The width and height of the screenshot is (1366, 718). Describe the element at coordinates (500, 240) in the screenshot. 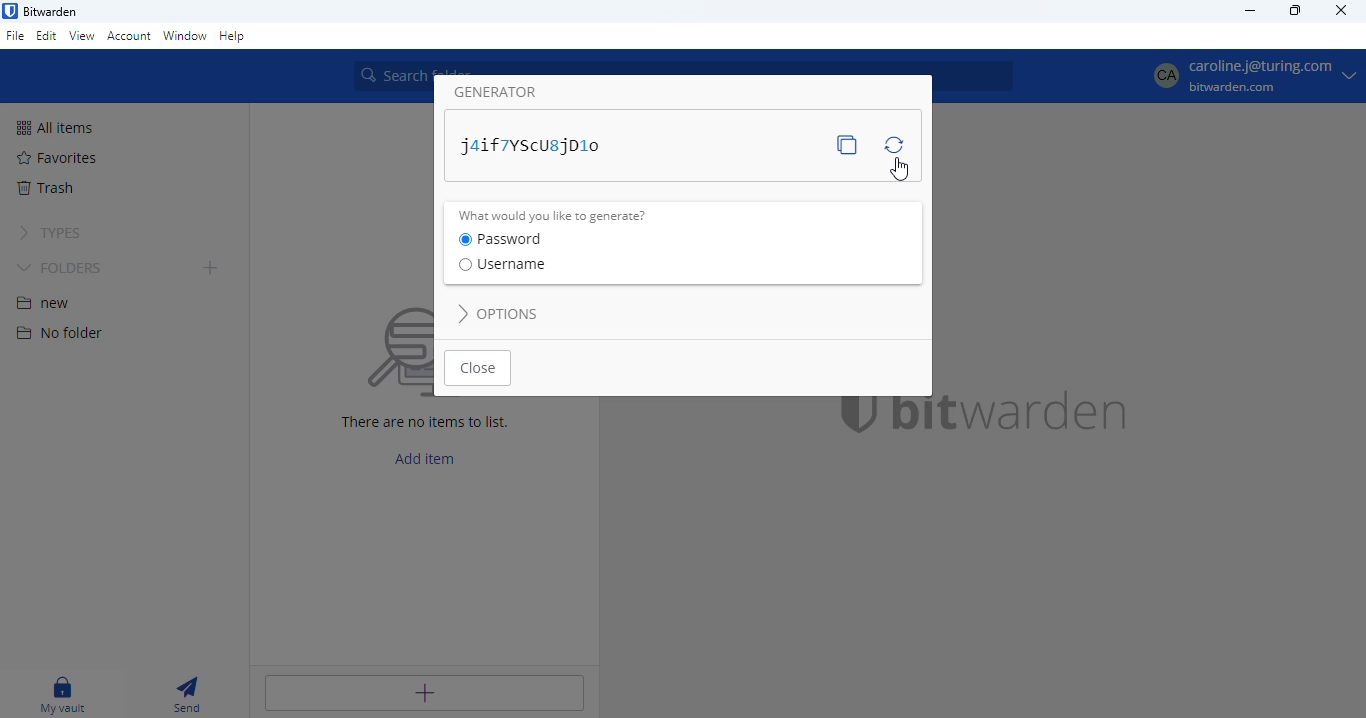

I see `password ` at that location.